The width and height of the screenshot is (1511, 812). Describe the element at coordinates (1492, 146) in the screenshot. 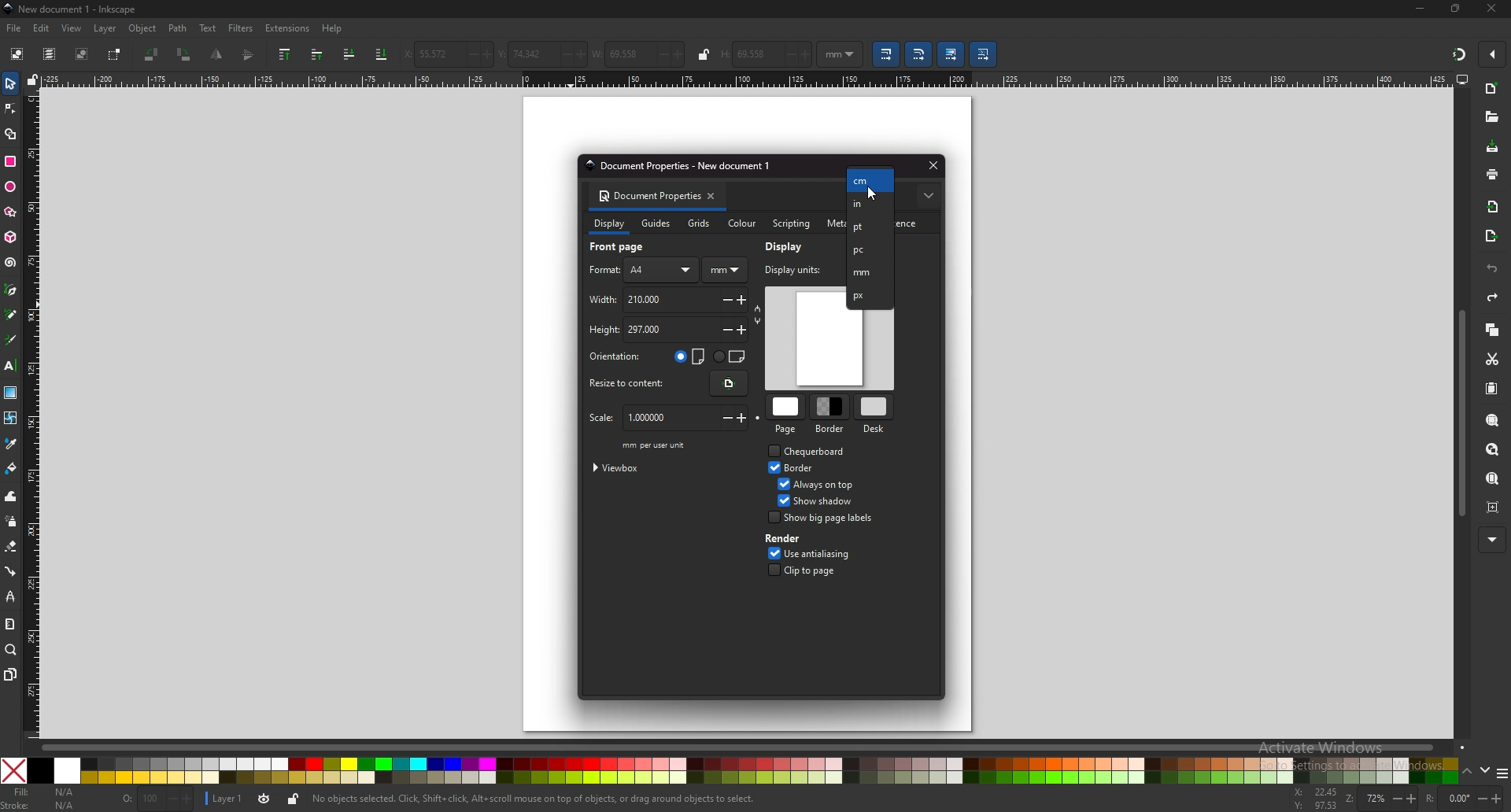

I see `save` at that location.